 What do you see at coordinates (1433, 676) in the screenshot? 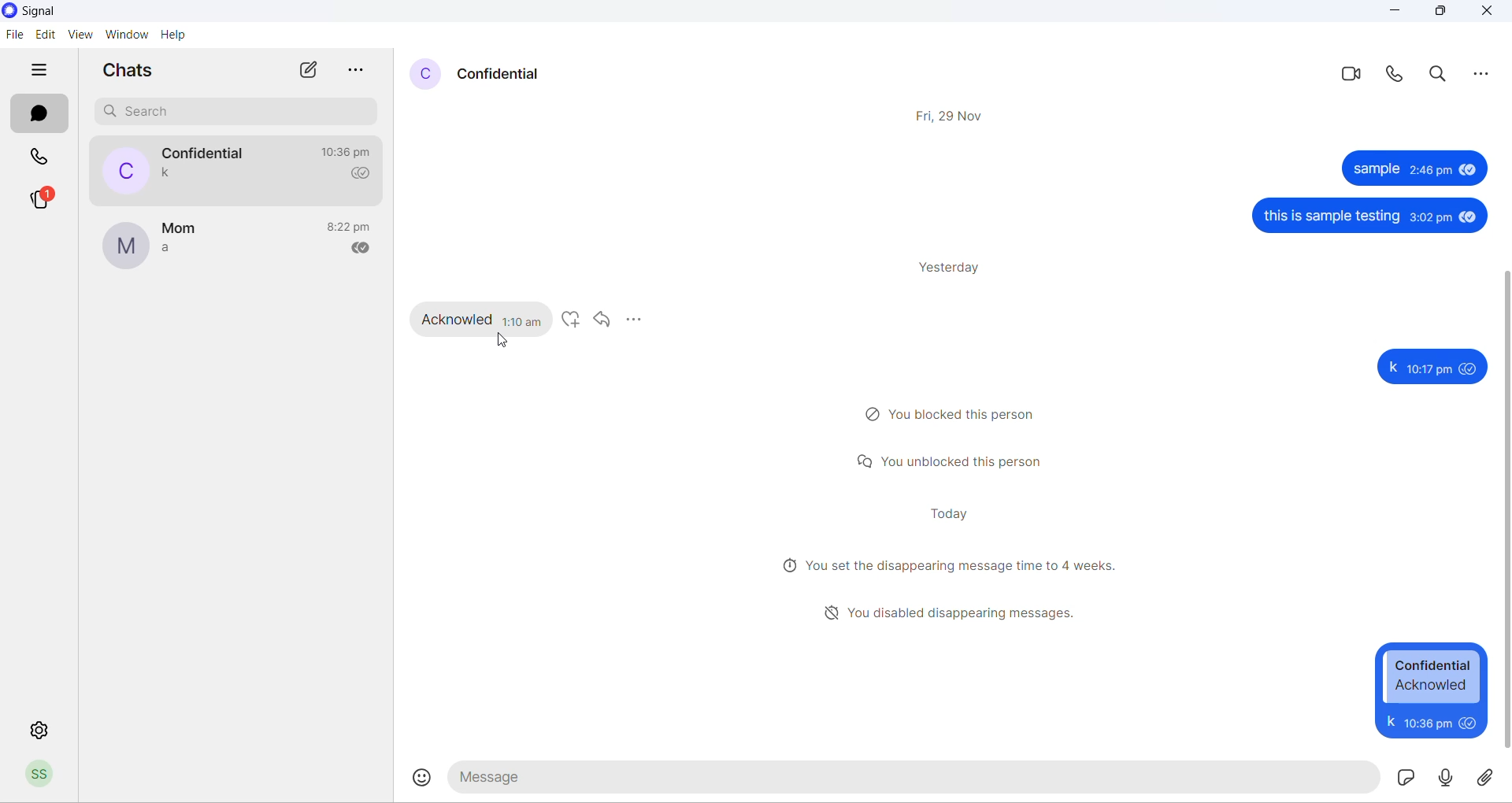
I see `Confidential Acknowled` at bounding box center [1433, 676].